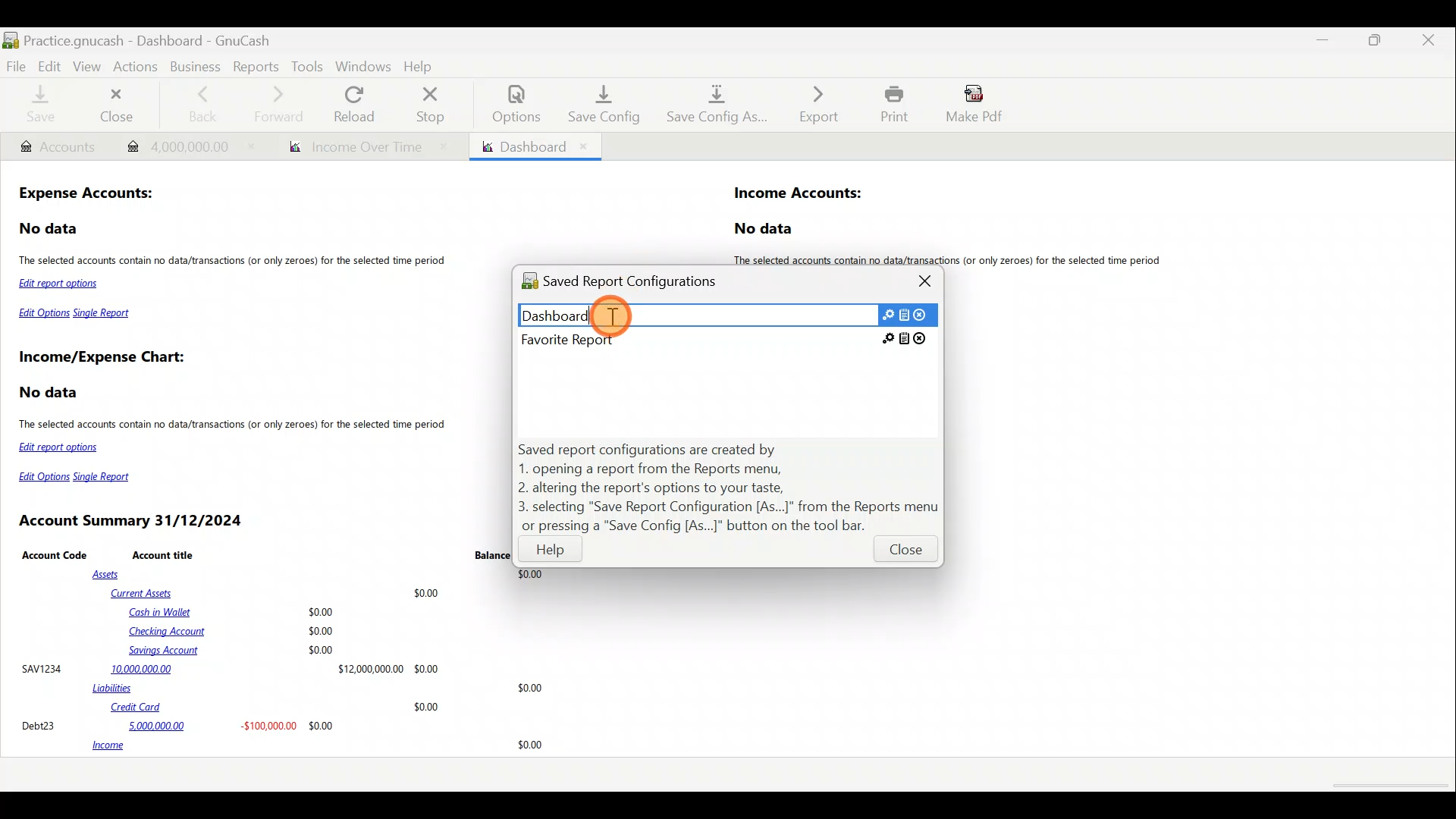  What do you see at coordinates (321, 688) in the screenshot?
I see `Liabilities $0.00` at bounding box center [321, 688].